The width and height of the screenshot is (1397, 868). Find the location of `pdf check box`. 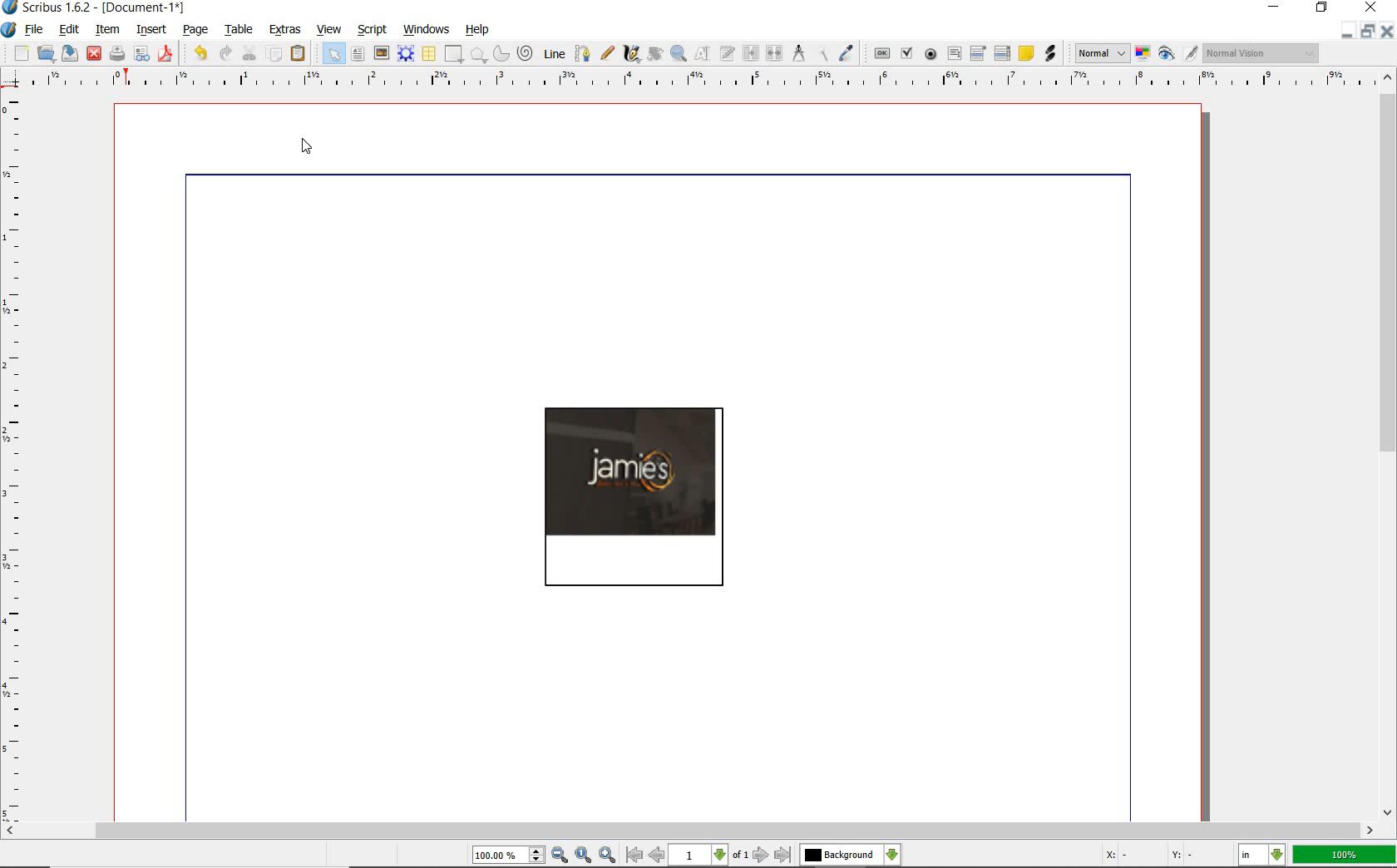

pdf check box is located at coordinates (906, 54).